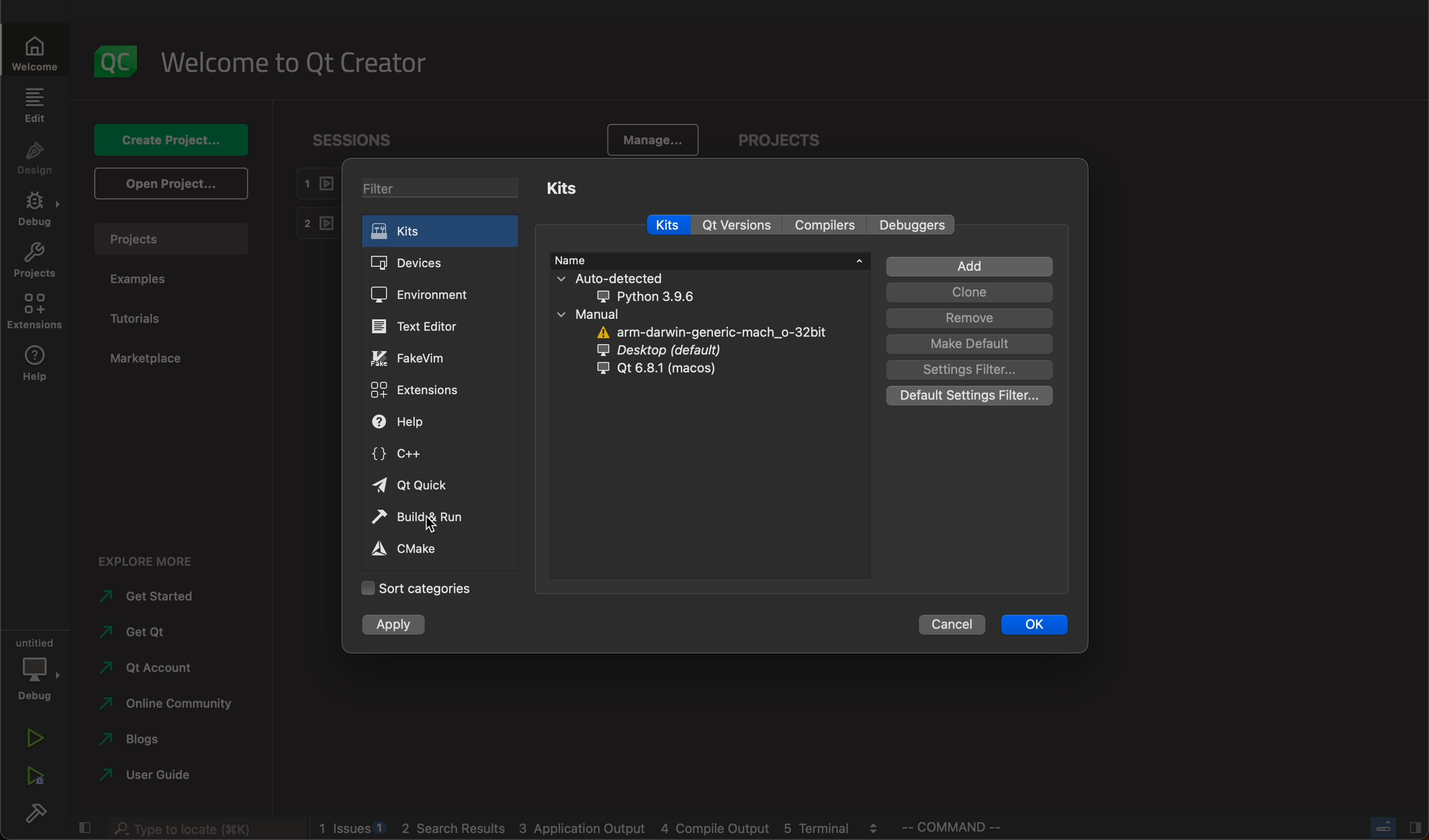 The image size is (1429, 840). Describe the element at coordinates (969, 266) in the screenshot. I see `add` at that location.